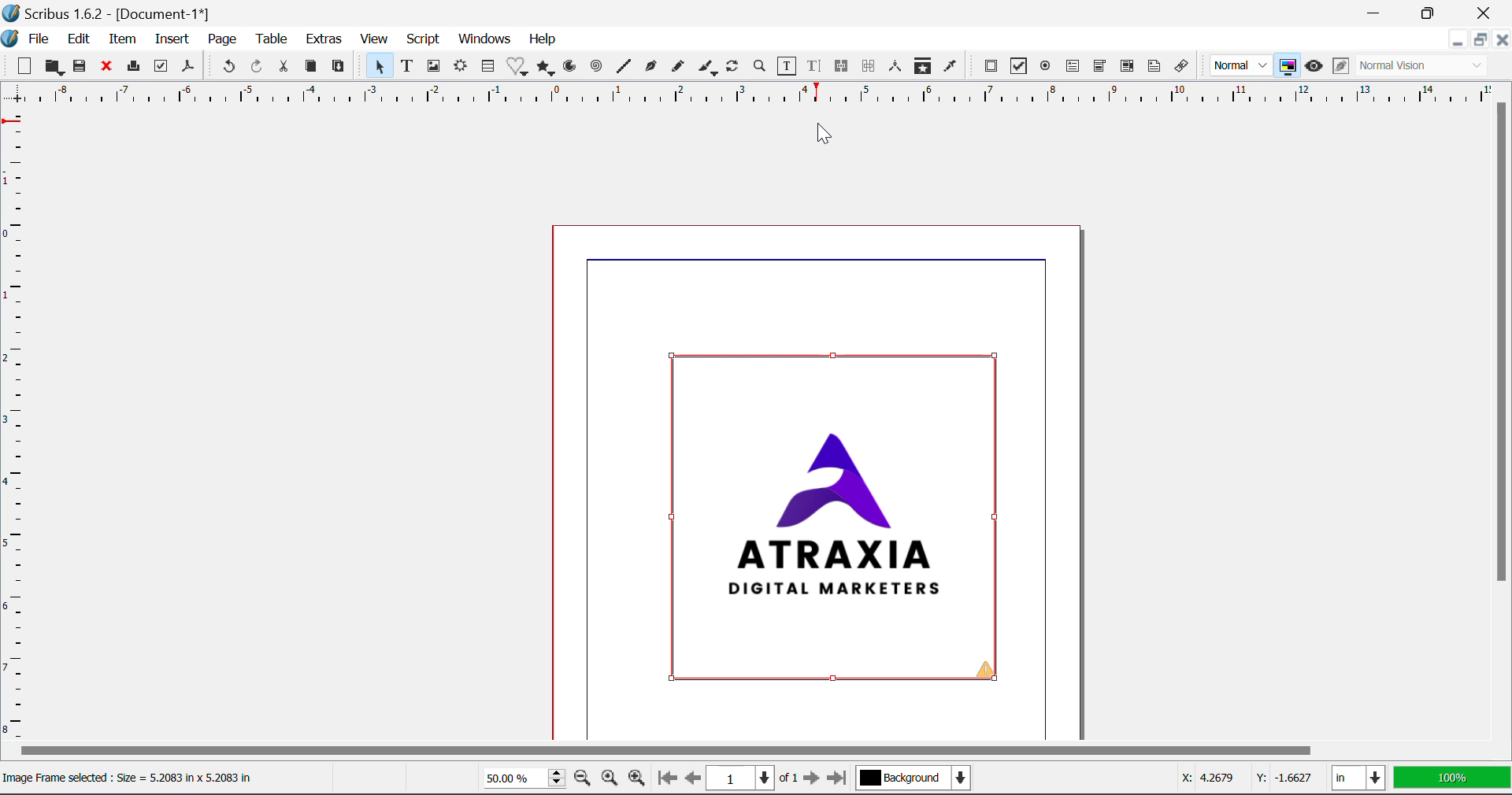 This screenshot has height=795, width=1512. Describe the element at coordinates (80, 68) in the screenshot. I see `Save` at that location.